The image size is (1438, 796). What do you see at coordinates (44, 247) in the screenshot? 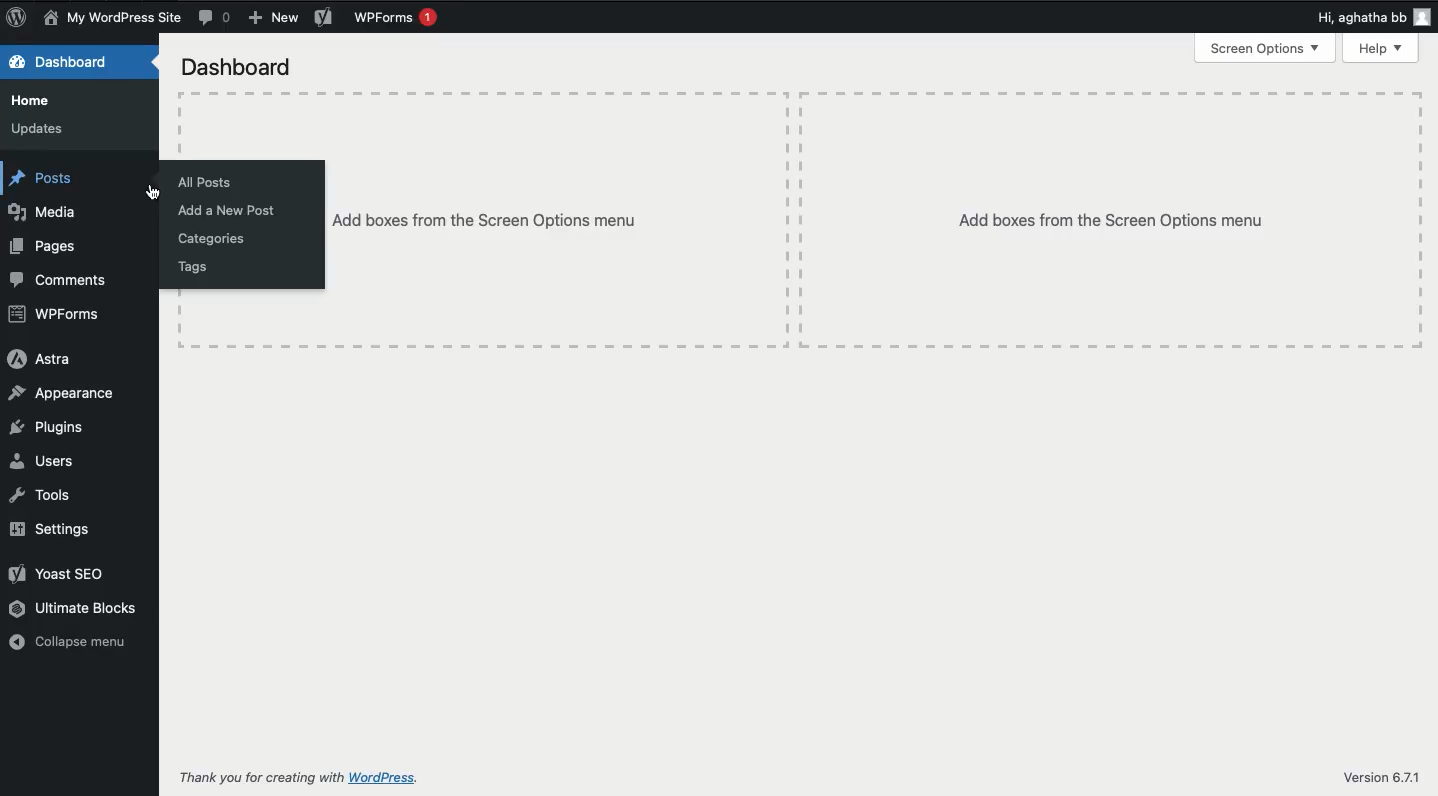
I see `Pages` at bounding box center [44, 247].